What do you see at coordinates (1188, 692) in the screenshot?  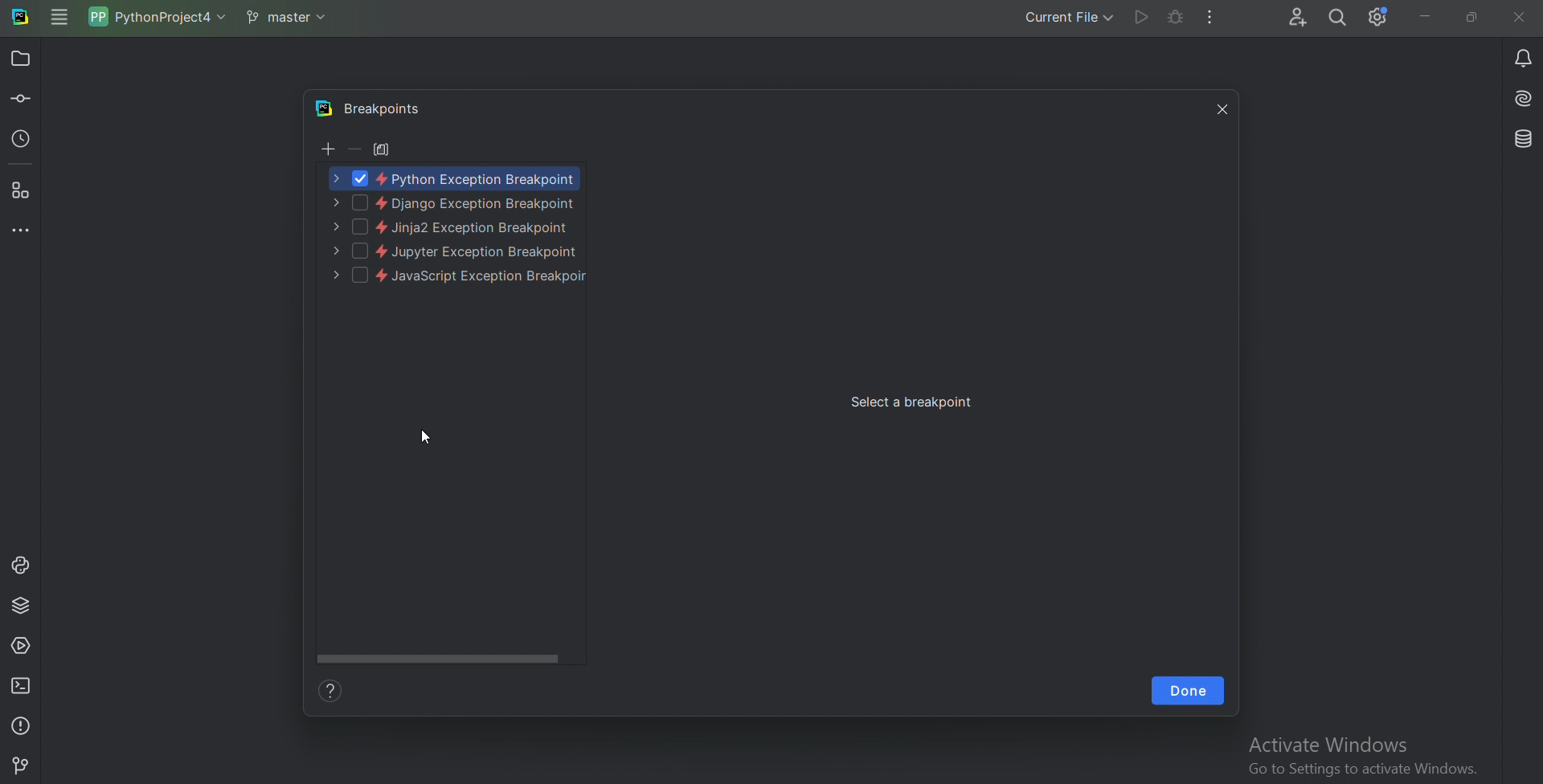 I see `Done` at bounding box center [1188, 692].